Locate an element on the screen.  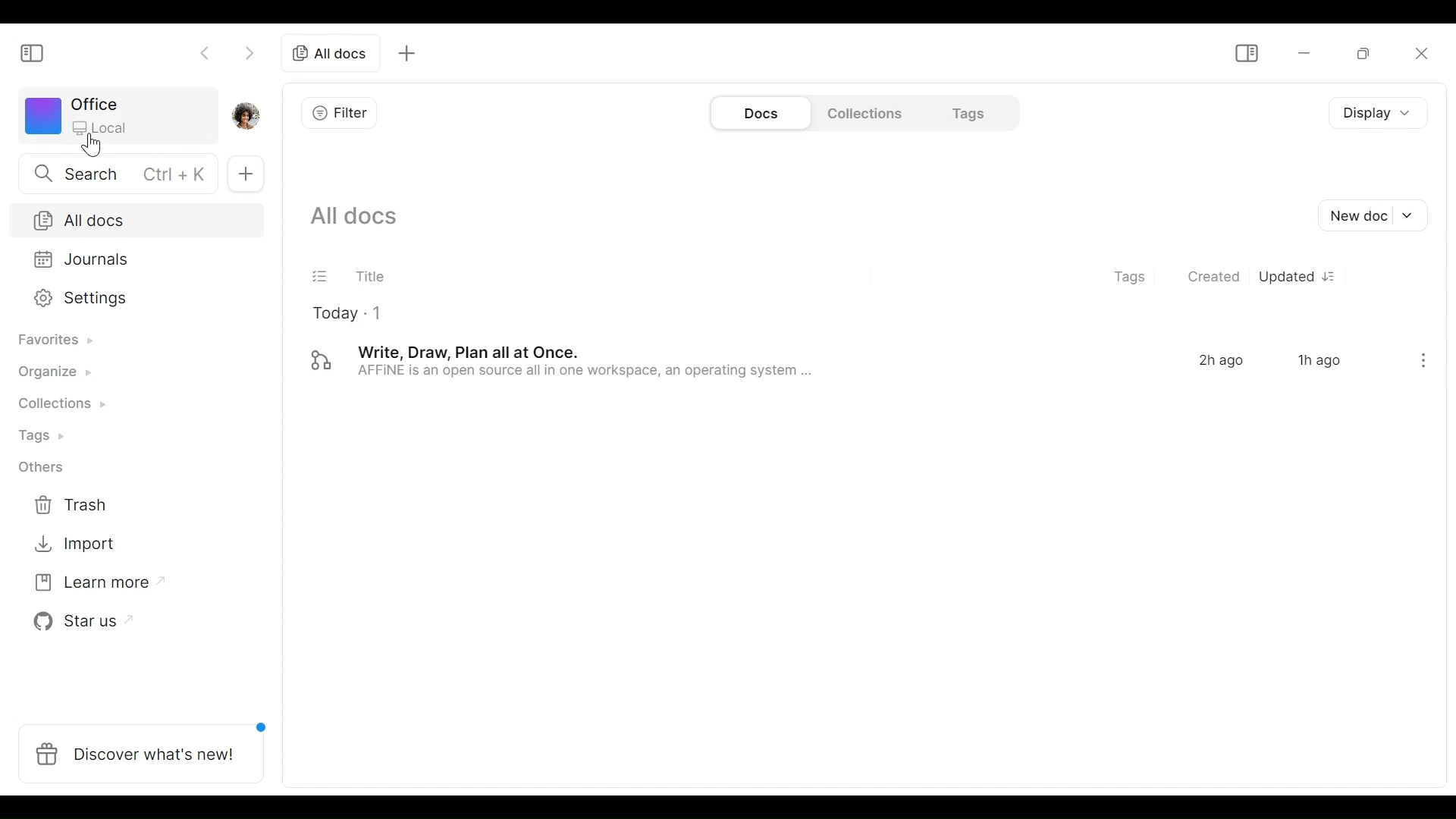
Organize is located at coordinates (48, 374).